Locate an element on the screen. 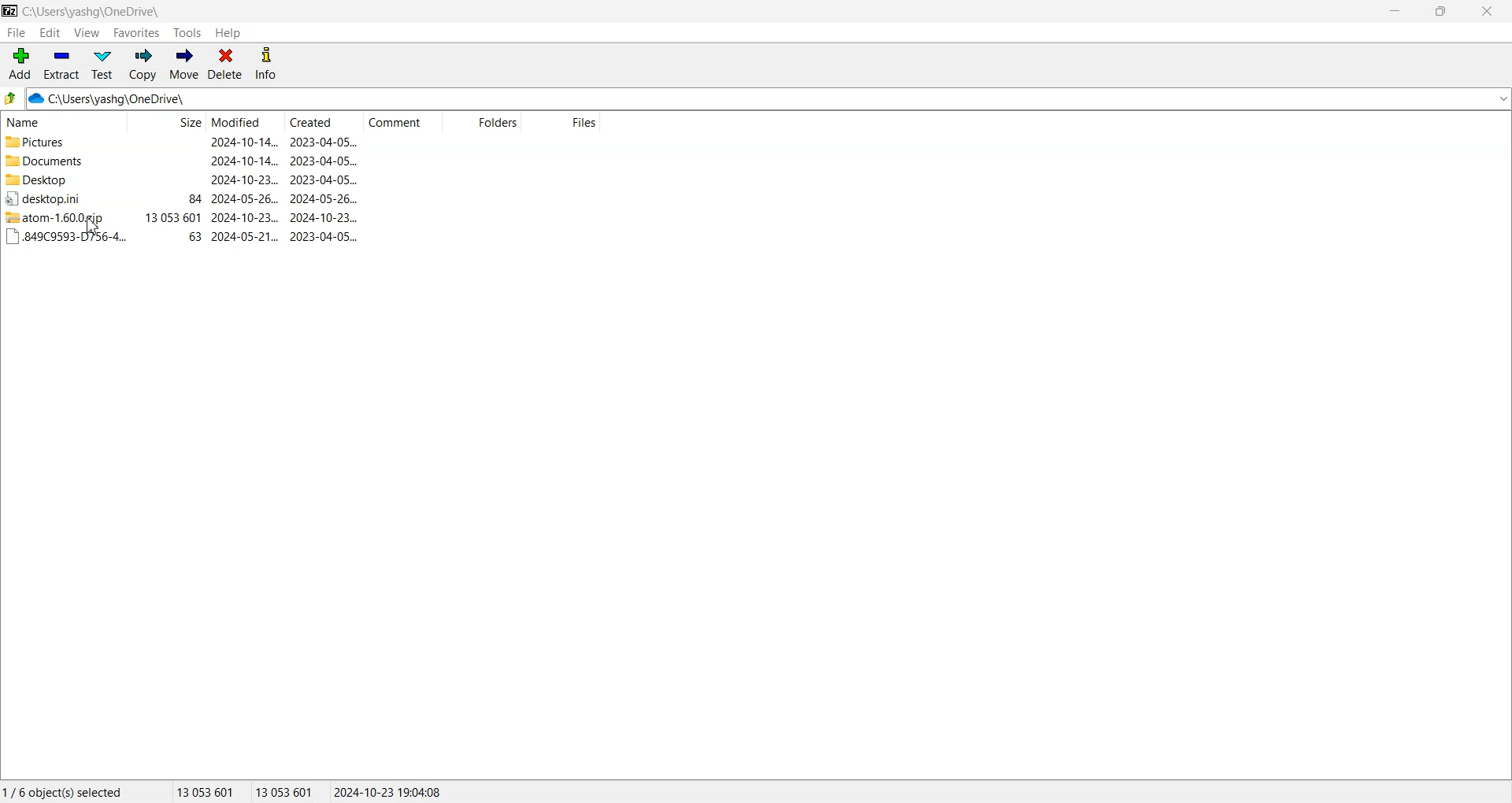 Image resolution: width=1512 pixels, height=803 pixels. 2024-10-14 is located at coordinates (243, 142).